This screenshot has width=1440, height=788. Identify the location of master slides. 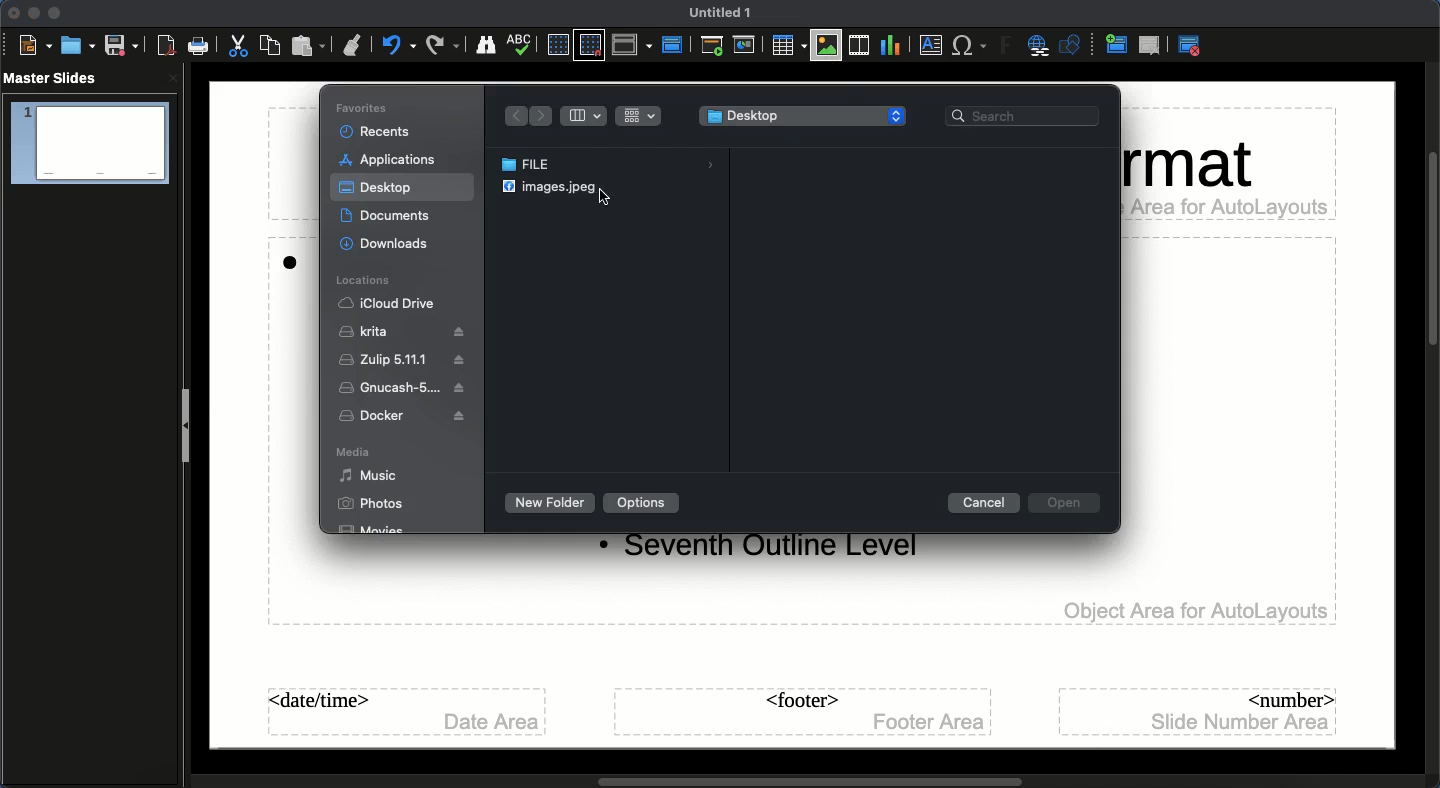
(52, 77).